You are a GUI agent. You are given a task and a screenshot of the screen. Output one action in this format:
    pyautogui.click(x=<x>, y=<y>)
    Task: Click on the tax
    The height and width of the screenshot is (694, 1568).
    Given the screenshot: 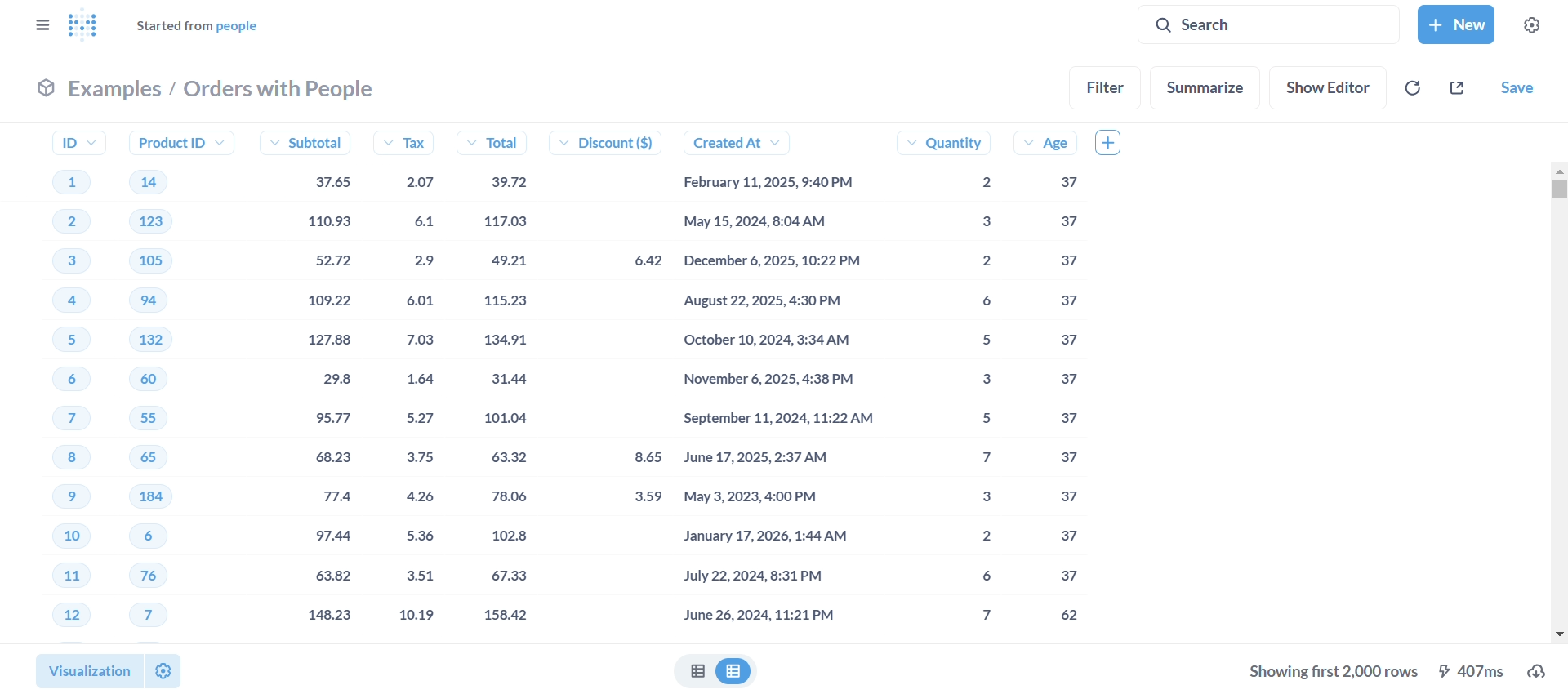 What is the action you would take?
    pyautogui.click(x=413, y=385)
    